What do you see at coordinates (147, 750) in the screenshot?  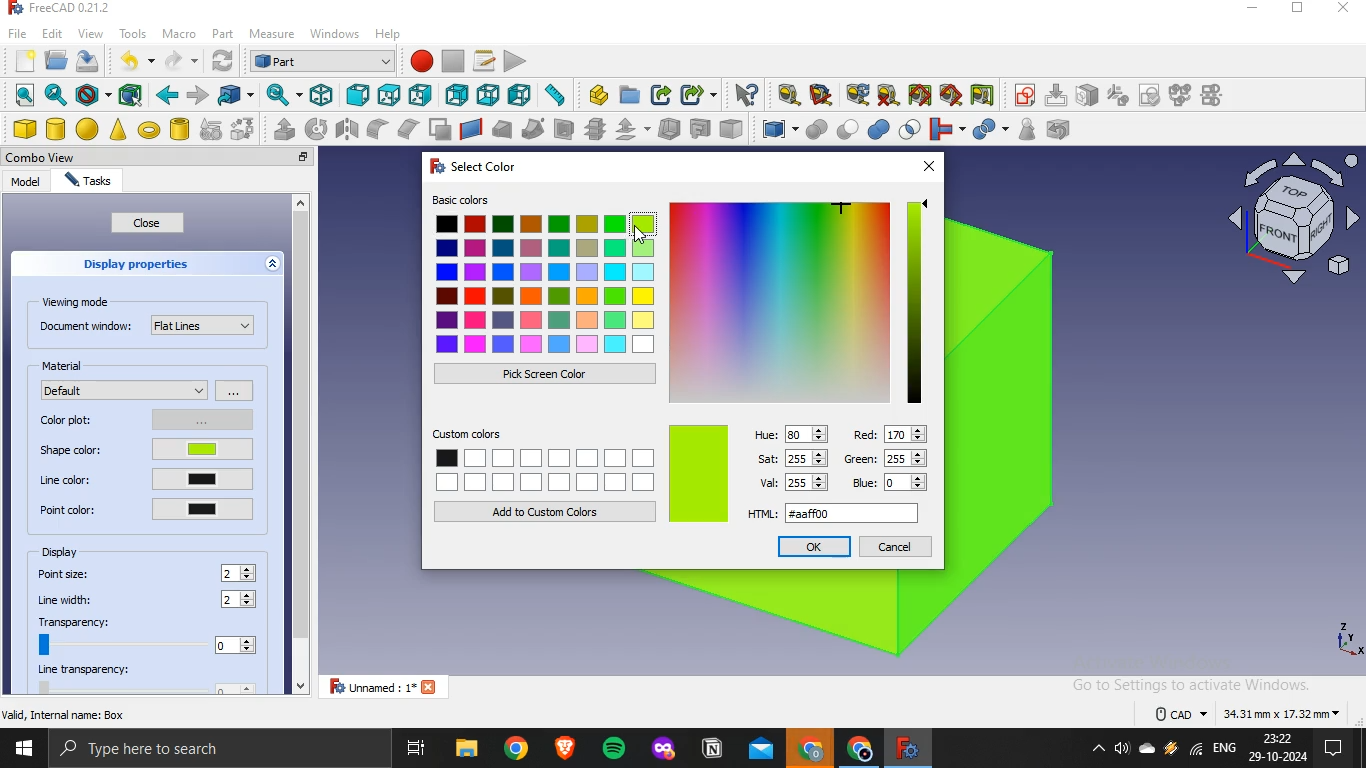 I see `type here to search` at bounding box center [147, 750].